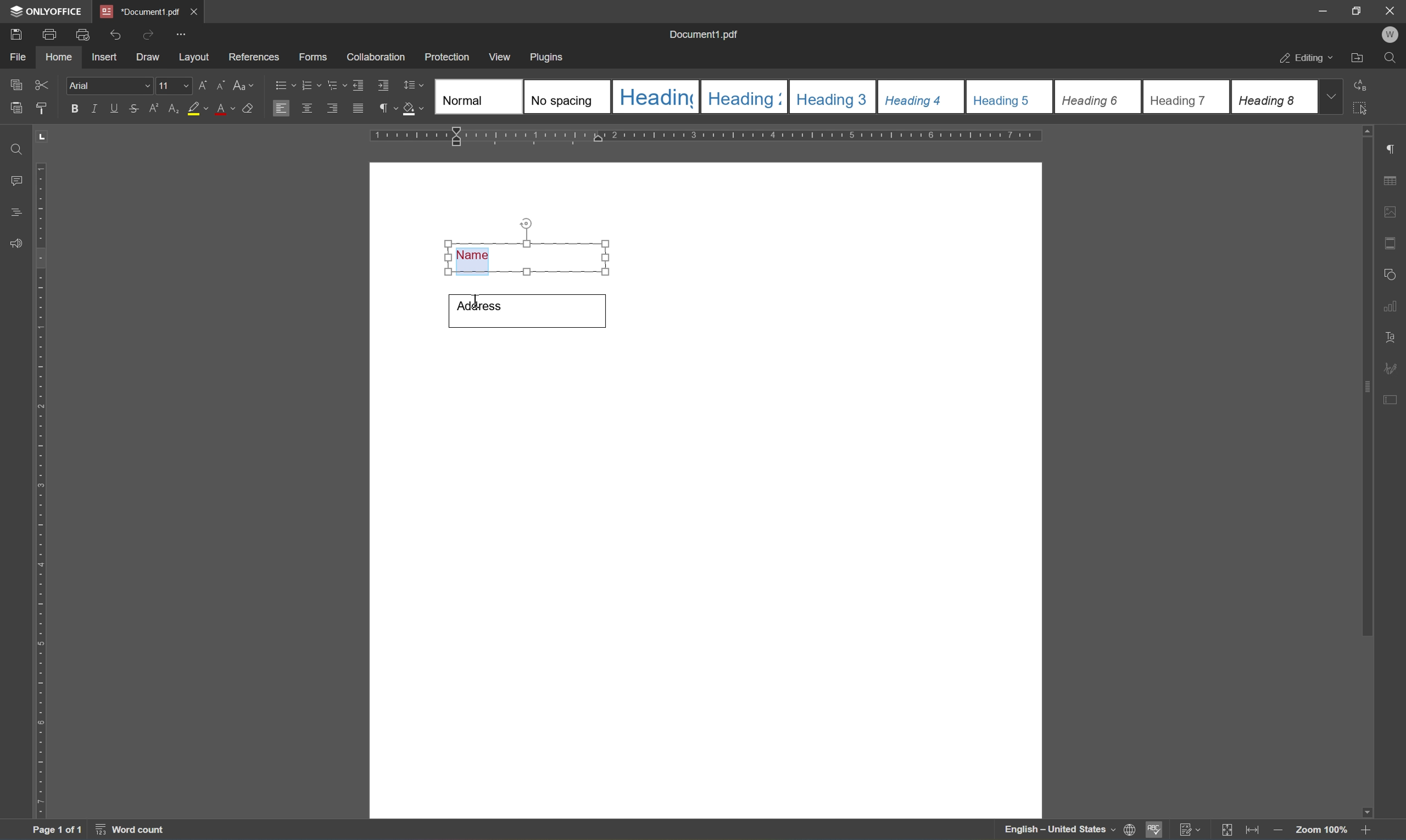 The height and width of the screenshot is (840, 1406). I want to click on text cursor, so click(475, 305).